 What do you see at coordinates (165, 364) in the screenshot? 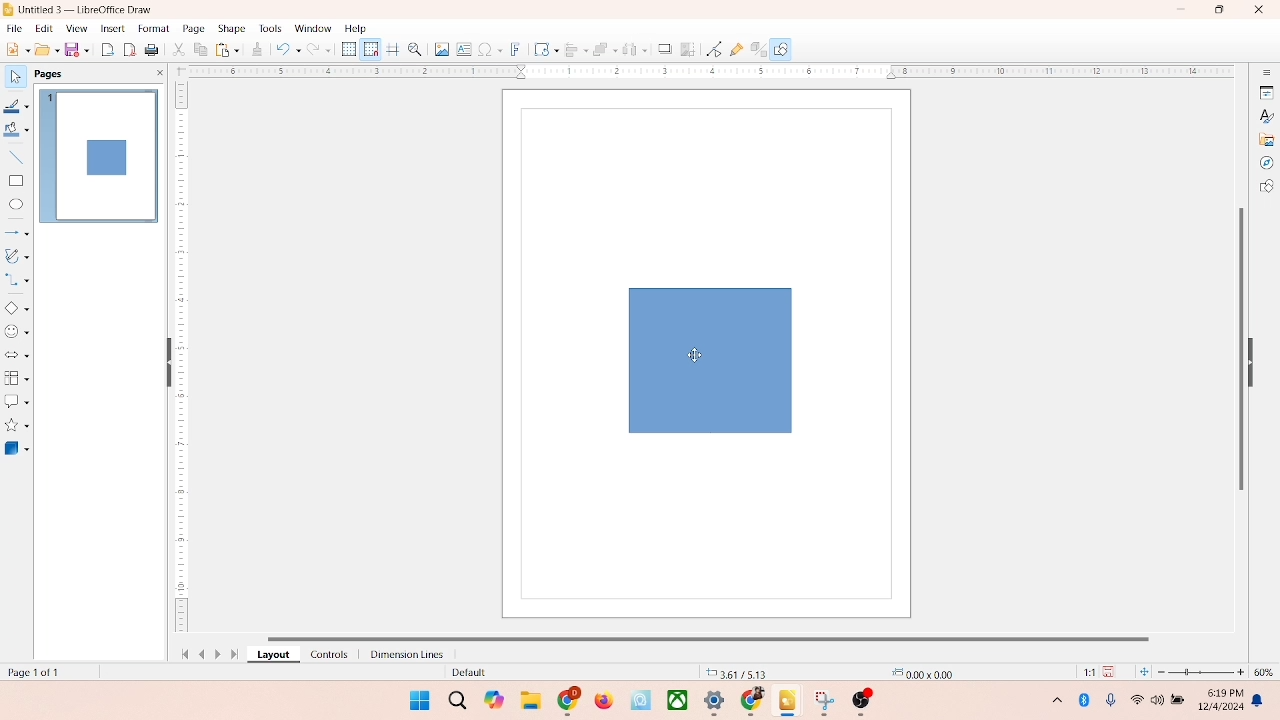
I see `hide` at bounding box center [165, 364].